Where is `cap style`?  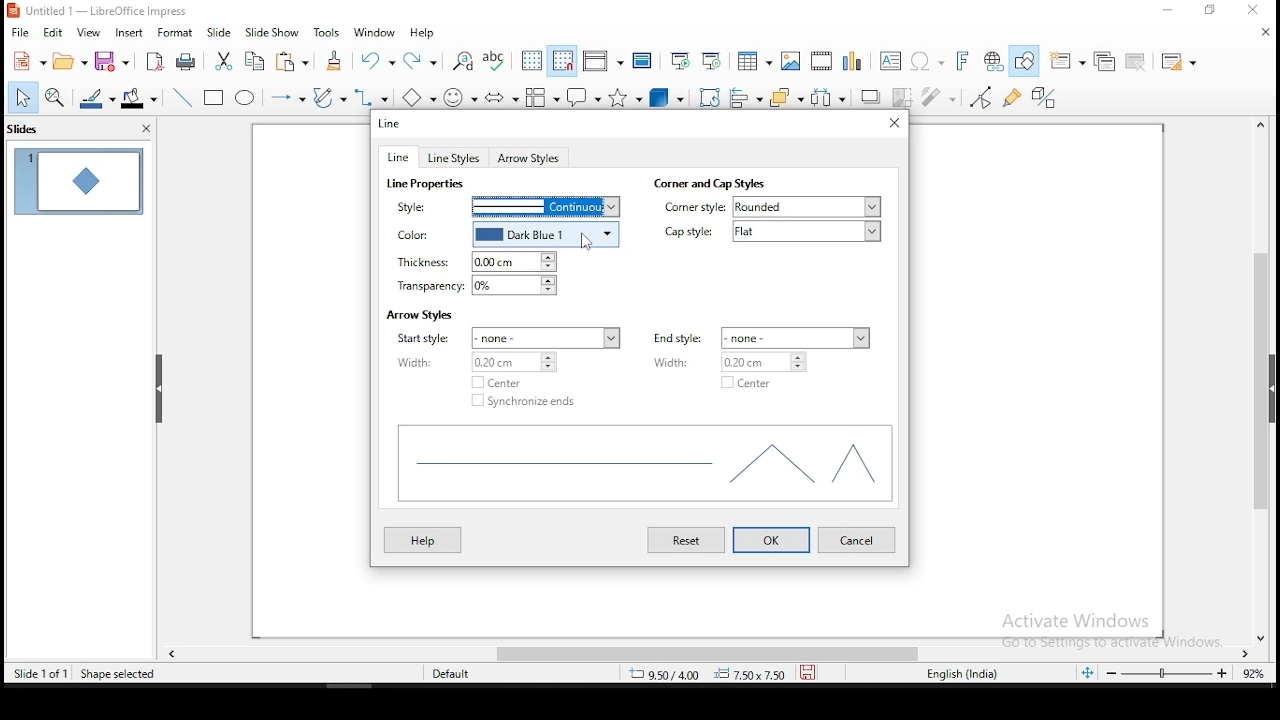 cap style is located at coordinates (689, 233).